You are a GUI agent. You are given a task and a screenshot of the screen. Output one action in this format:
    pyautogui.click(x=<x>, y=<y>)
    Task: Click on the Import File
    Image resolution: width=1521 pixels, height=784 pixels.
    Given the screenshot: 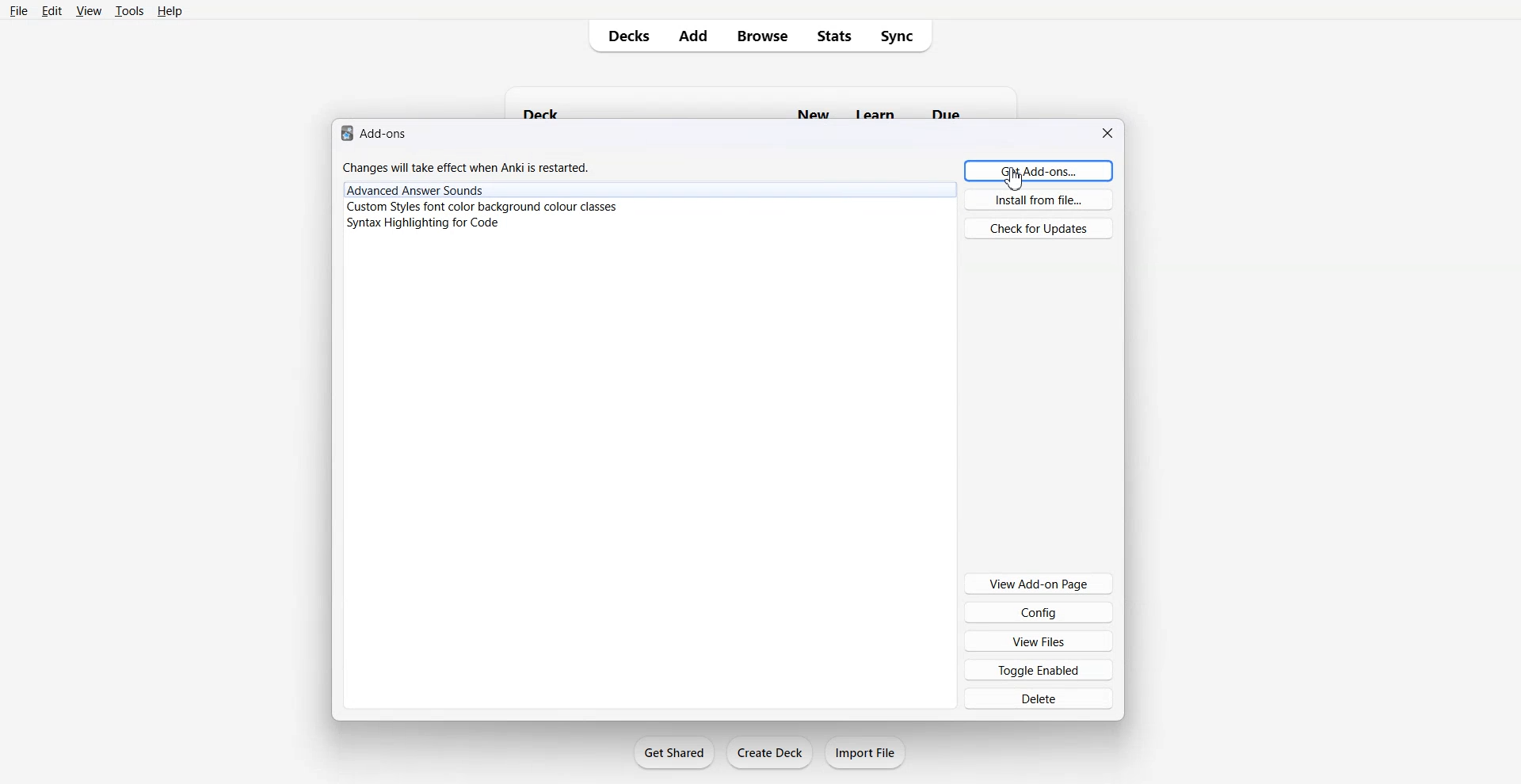 What is the action you would take?
    pyautogui.click(x=866, y=752)
    